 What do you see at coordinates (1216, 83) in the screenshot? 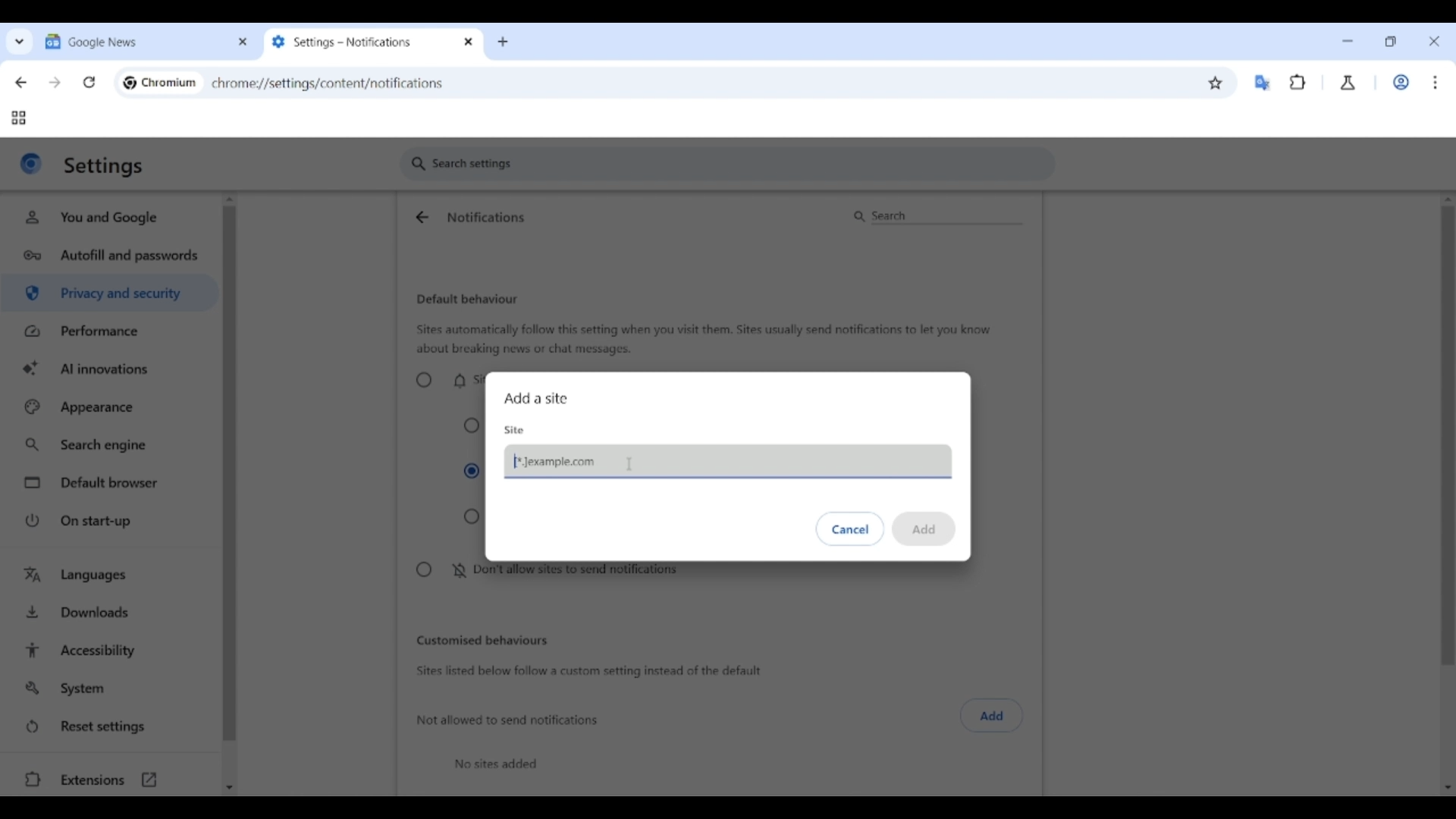
I see `Bookmark this tab` at bounding box center [1216, 83].